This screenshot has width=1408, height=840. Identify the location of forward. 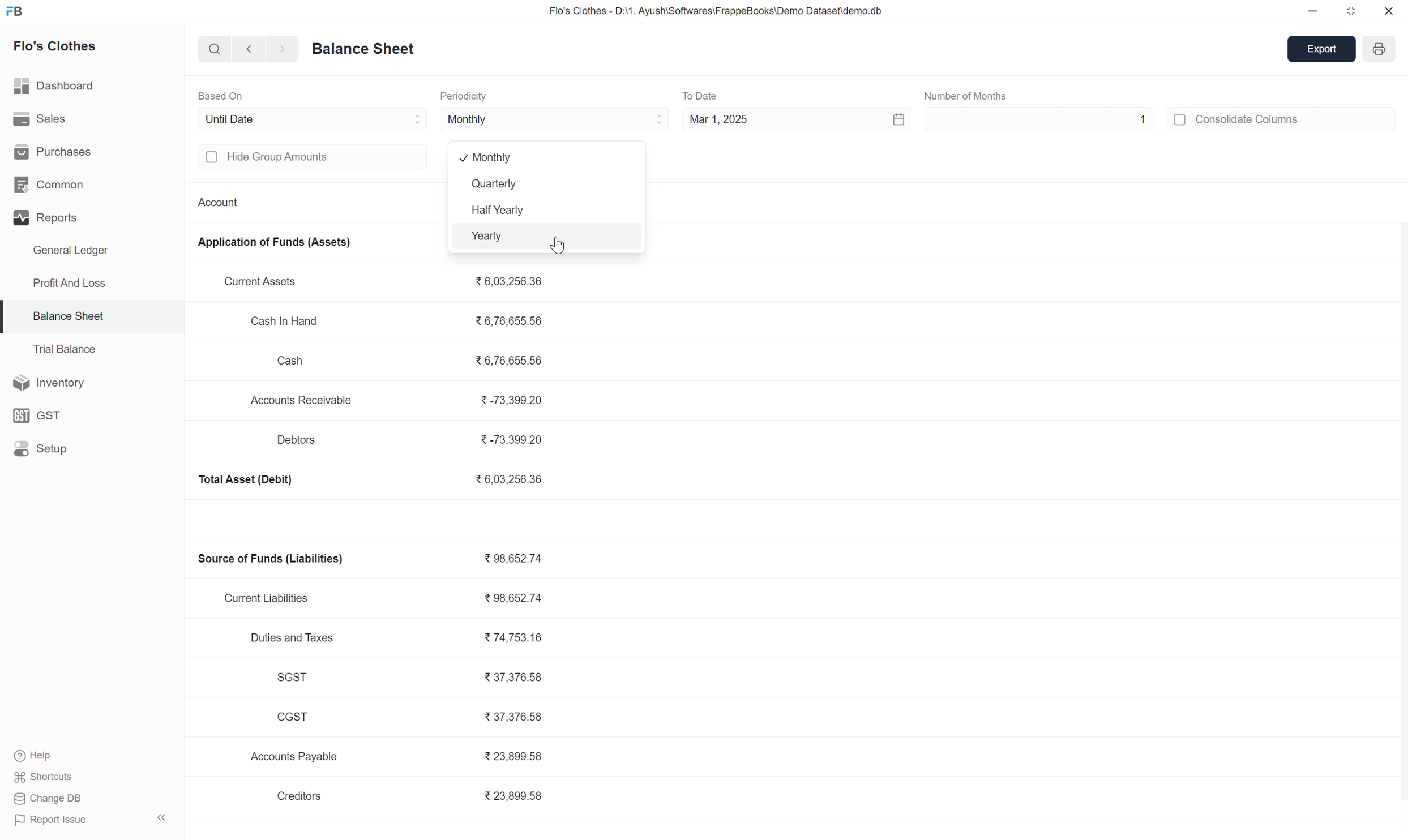
(277, 49).